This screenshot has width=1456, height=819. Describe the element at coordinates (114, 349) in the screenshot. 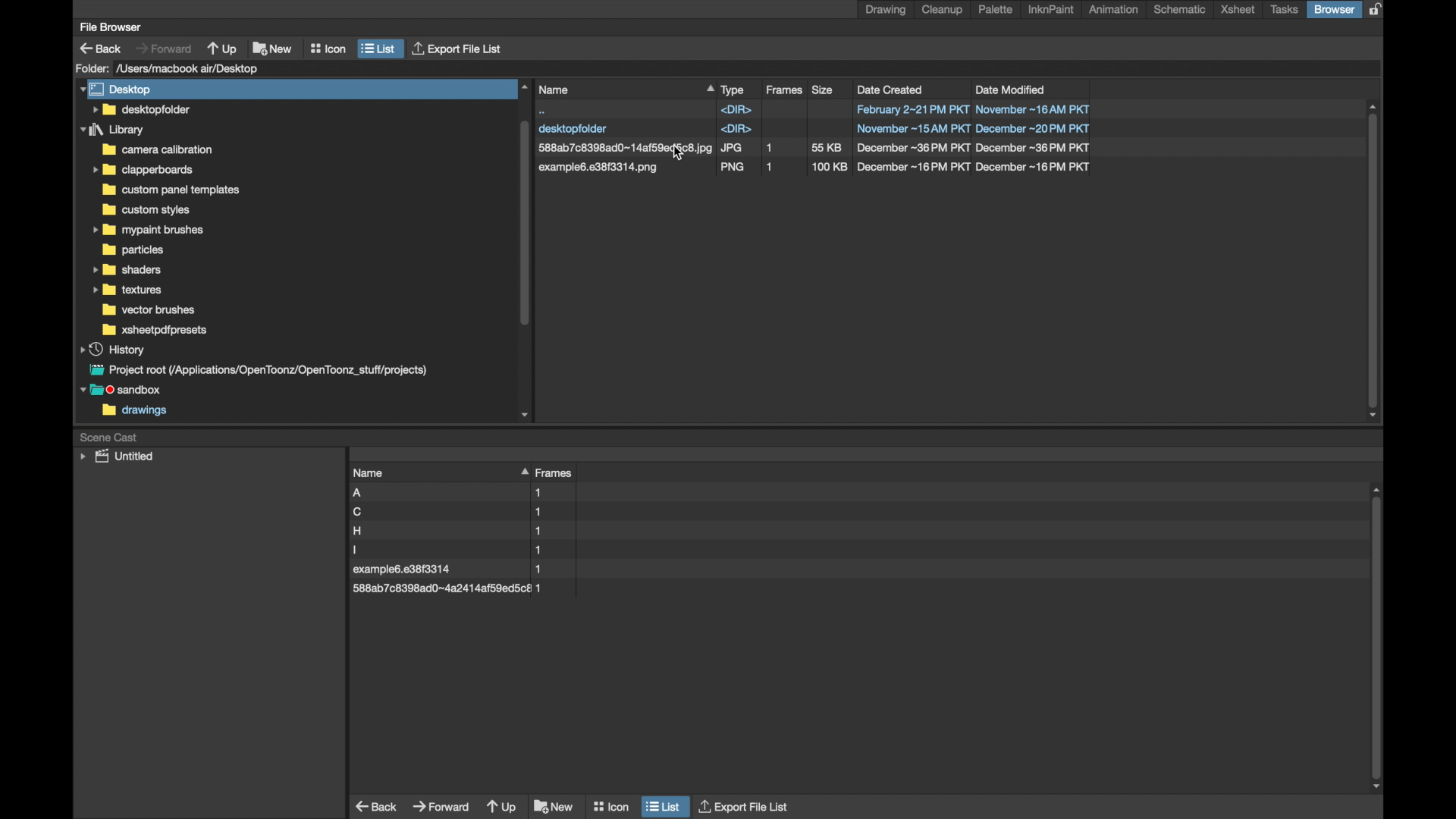

I see `history` at that location.